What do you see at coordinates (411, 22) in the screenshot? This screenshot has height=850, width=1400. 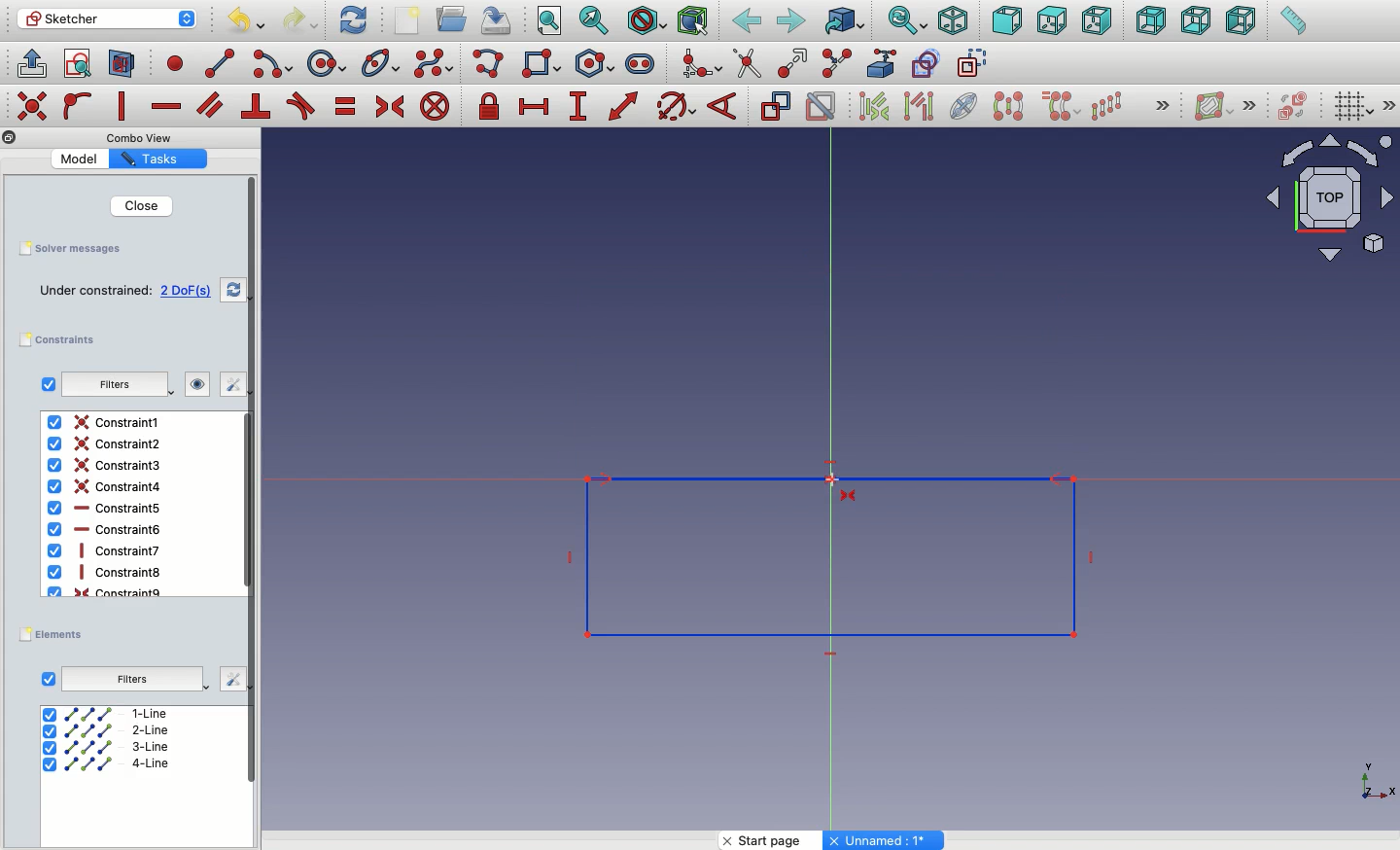 I see `New` at bounding box center [411, 22].